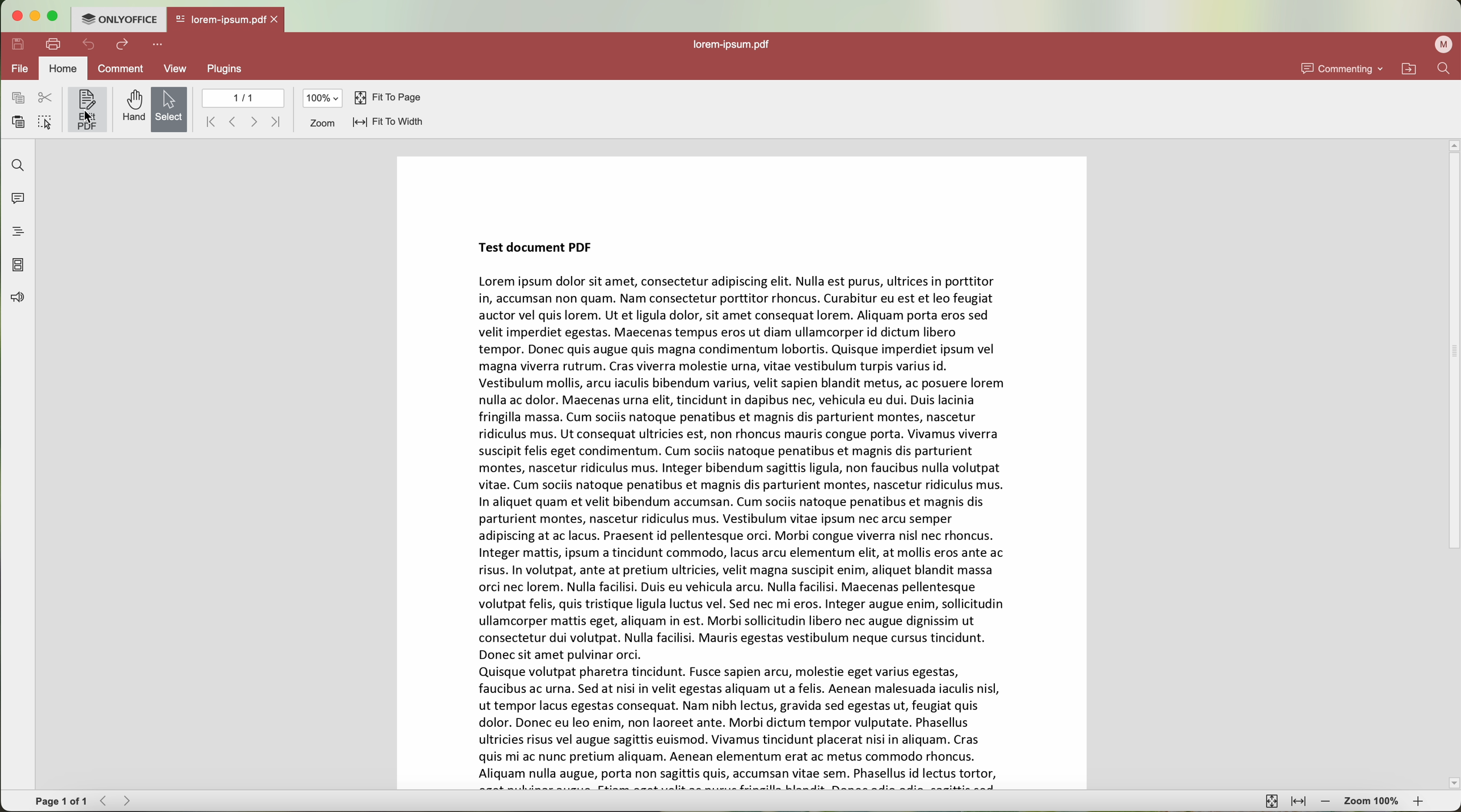  Describe the element at coordinates (156, 44) in the screenshot. I see `customize quick access toolbar` at that location.